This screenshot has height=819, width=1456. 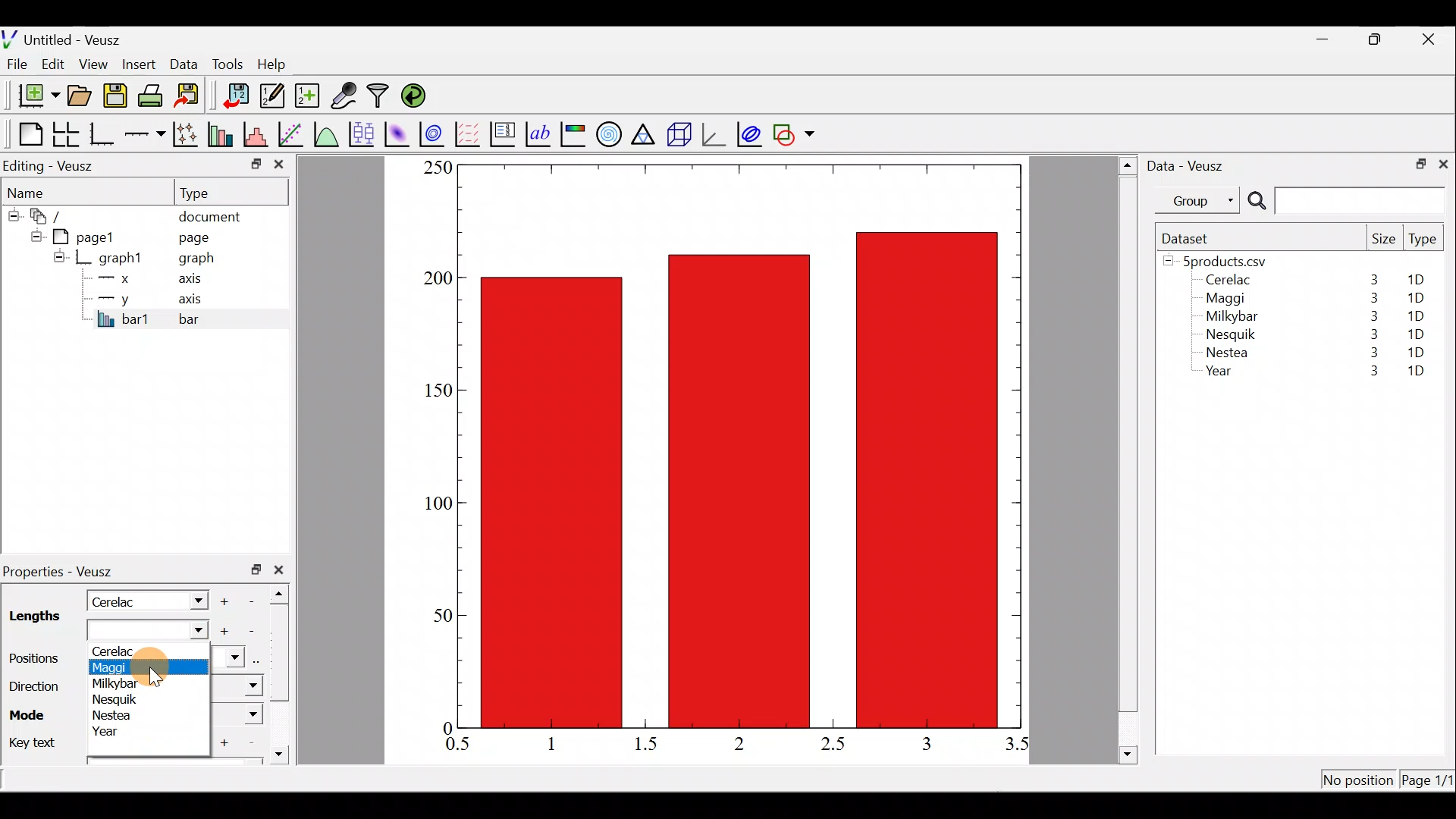 What do you see at coordinates (292, 133) in the screenshot?
I see `Fit a function to data` at bounding box center [292, 133].